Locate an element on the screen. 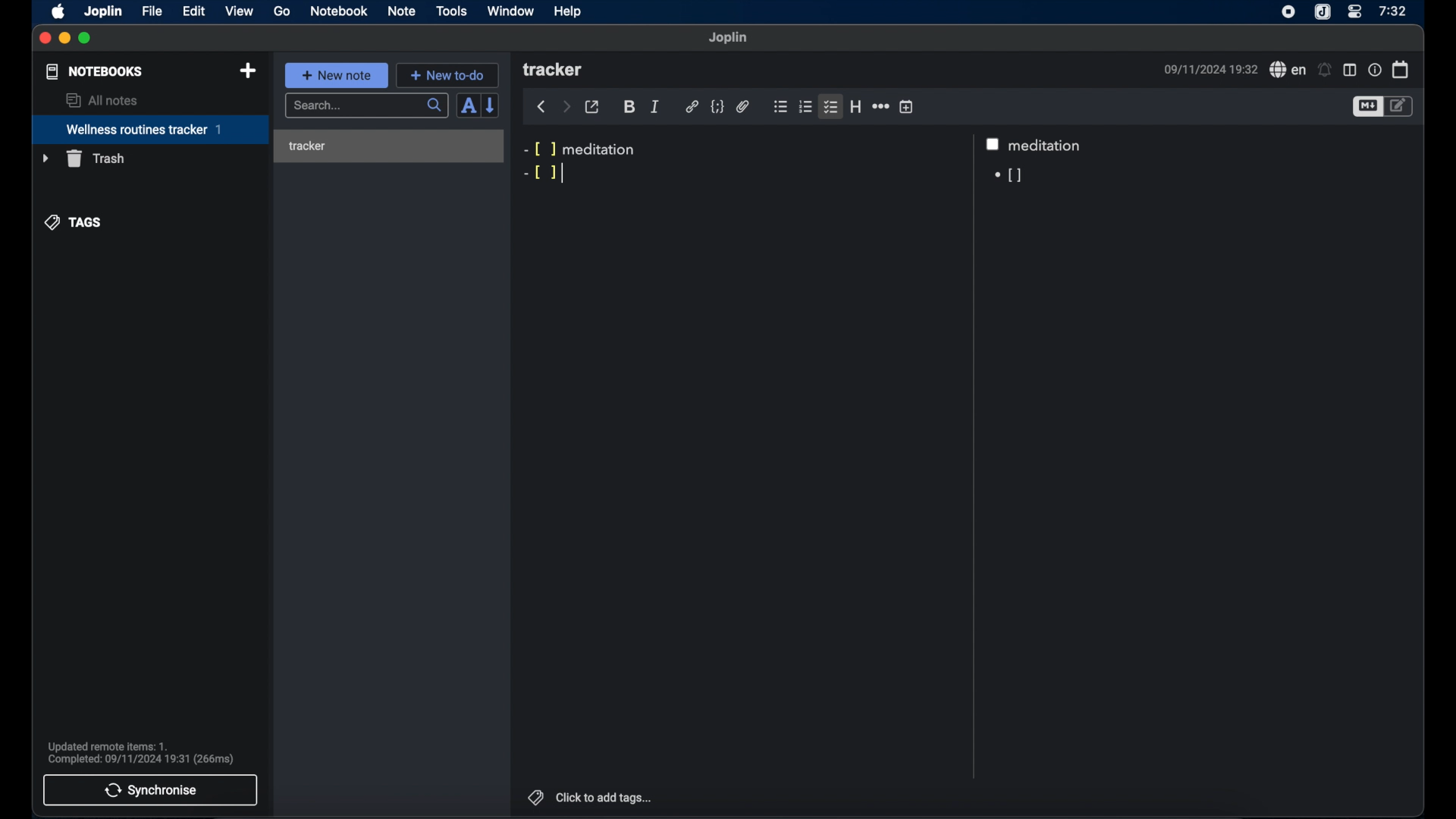 The width and height of the screenshot is (1456, 819). edit is located at coordinates (193, 11).